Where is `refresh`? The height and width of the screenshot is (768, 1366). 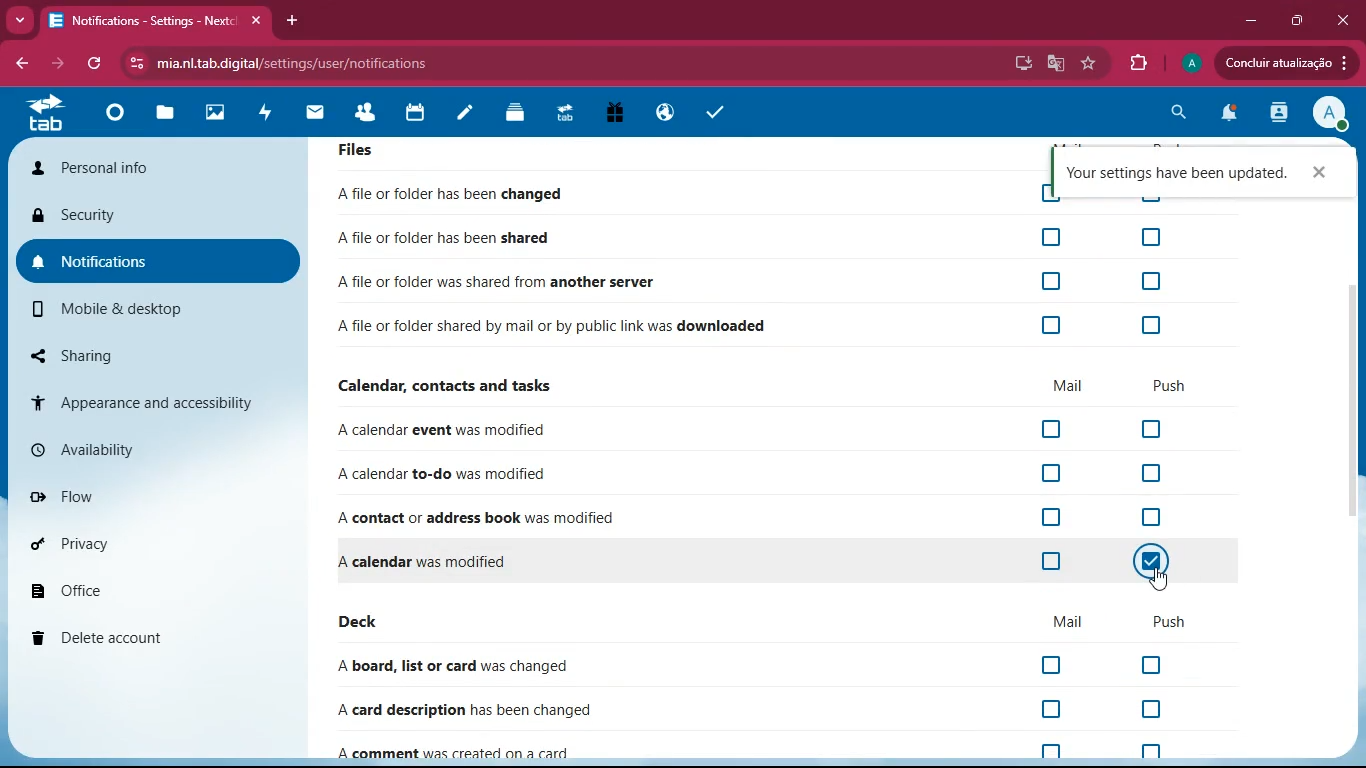
refresh is located at coordinates (98, 64).